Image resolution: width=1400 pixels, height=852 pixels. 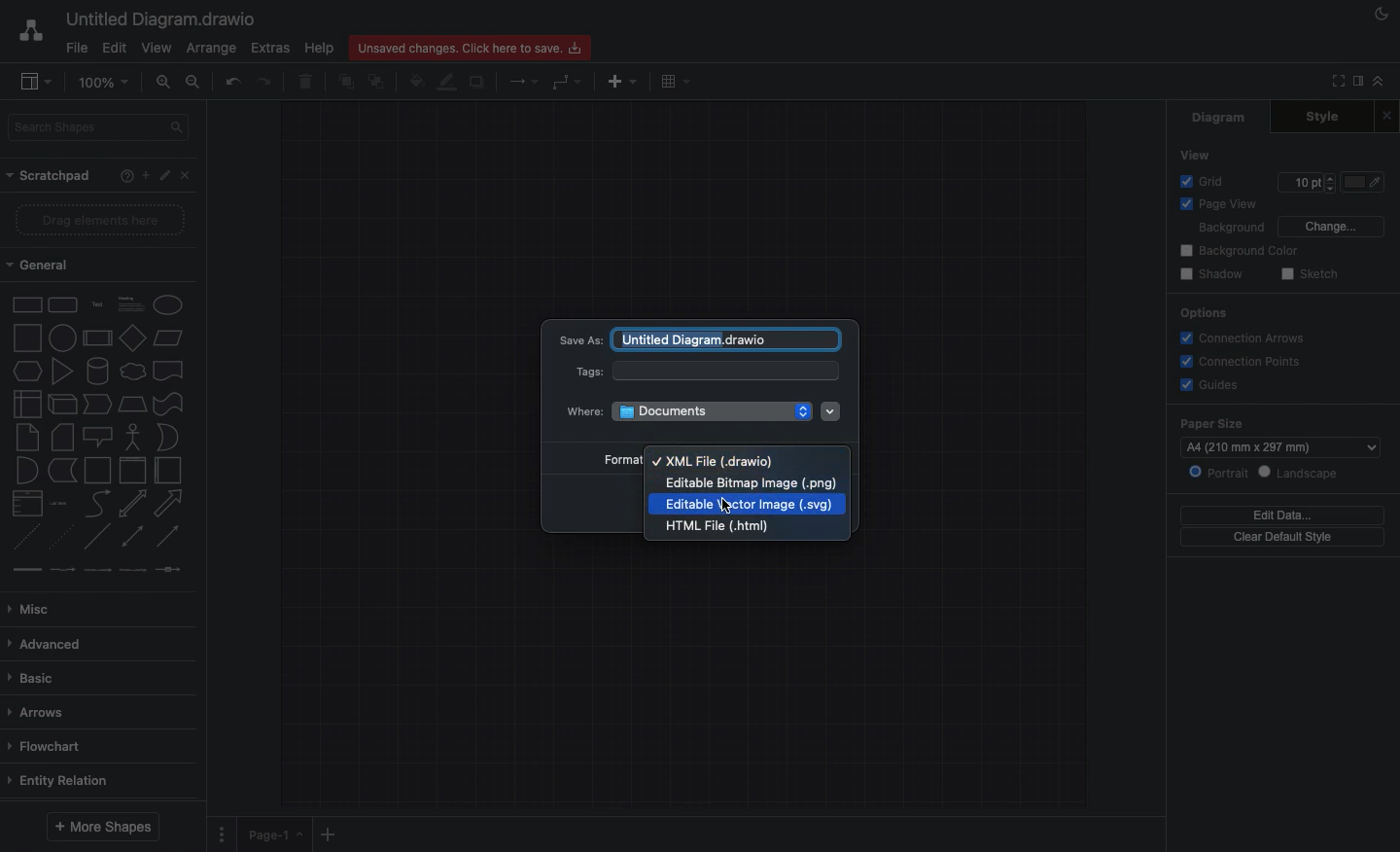 What do you see at coordinates (95, 128) in the screenshot?
I see `Search shapes` at bounding box center [95, 128].